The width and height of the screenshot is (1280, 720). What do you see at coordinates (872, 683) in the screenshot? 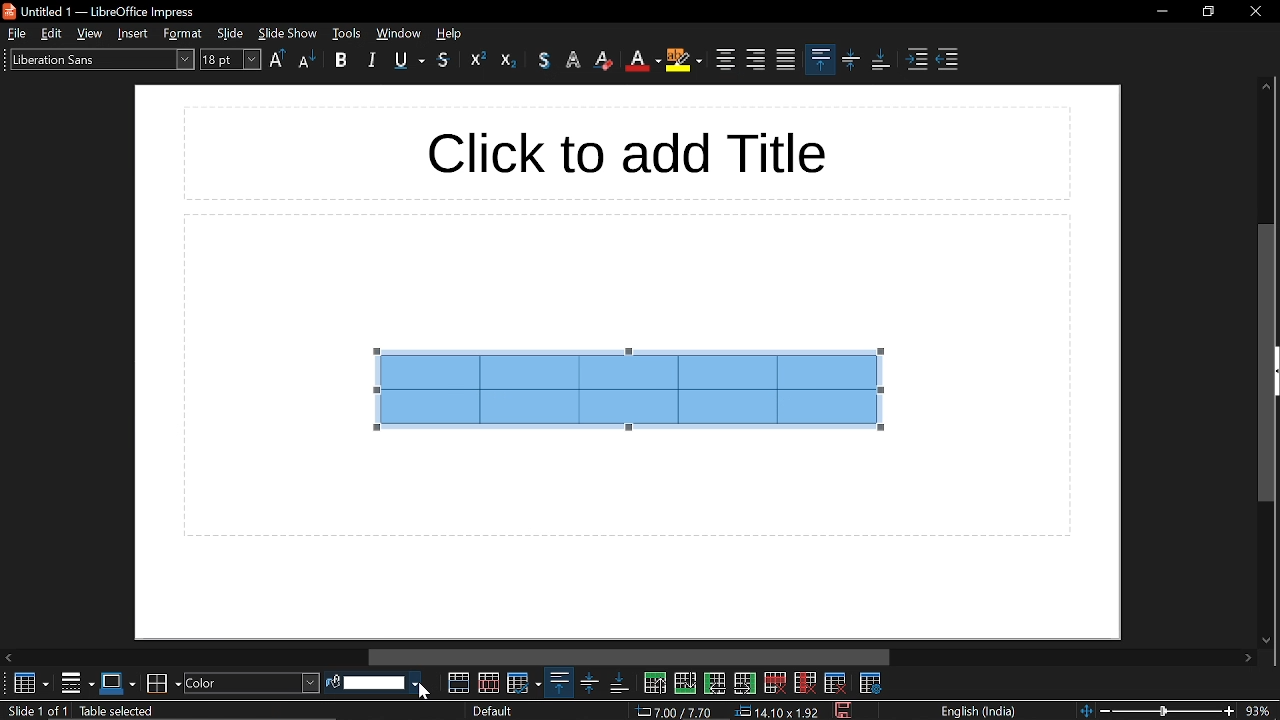
I see `table properties` at bounding box center [872, 683].